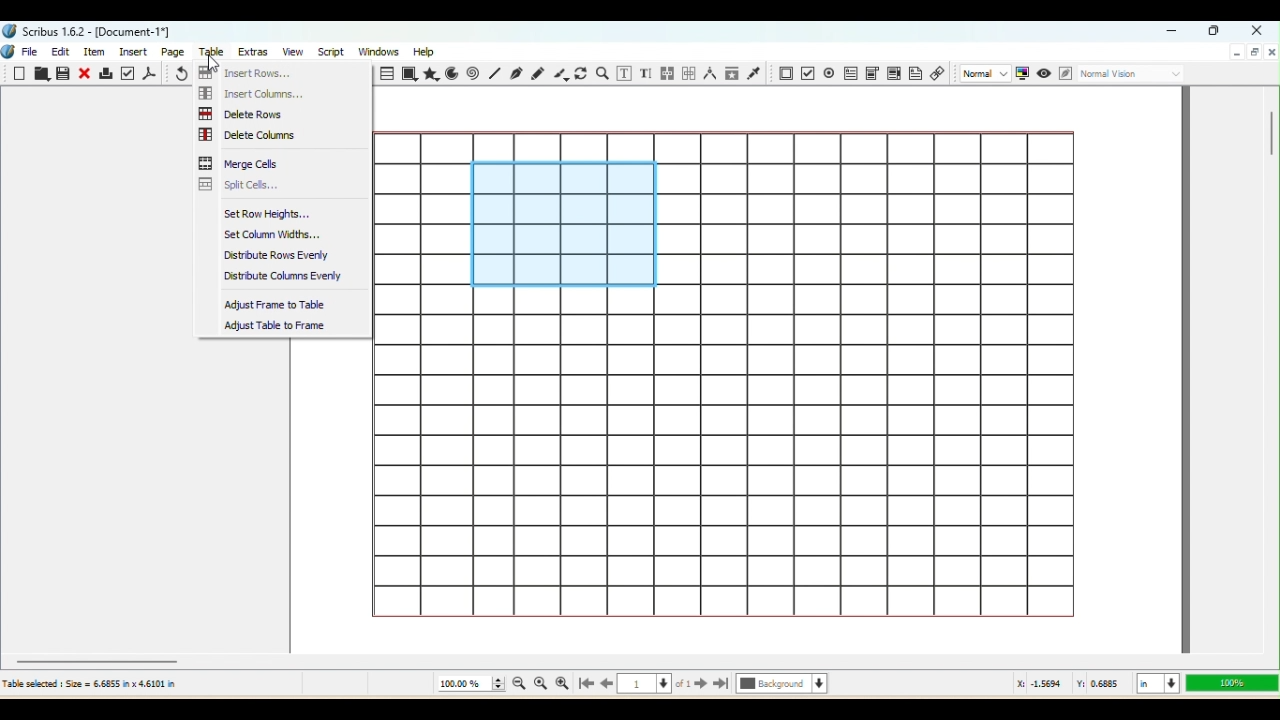  What do you see at coordinates (65, 75) in the screenshot?
I see `Save` at bounding box center [65, 75].